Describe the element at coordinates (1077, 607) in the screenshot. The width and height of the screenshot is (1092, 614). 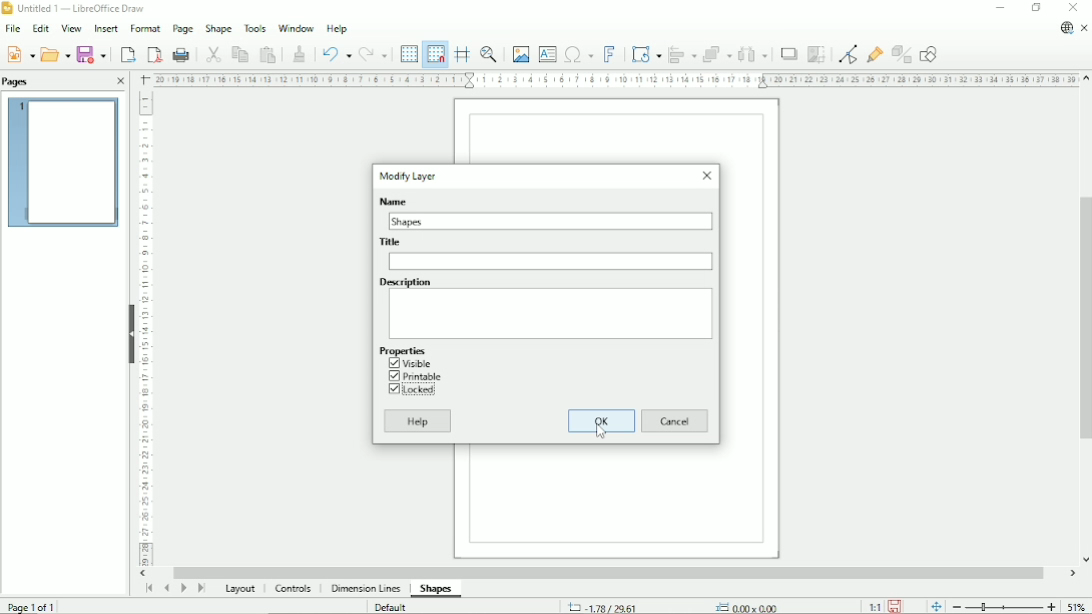
I see `Zoom factor` at that location.